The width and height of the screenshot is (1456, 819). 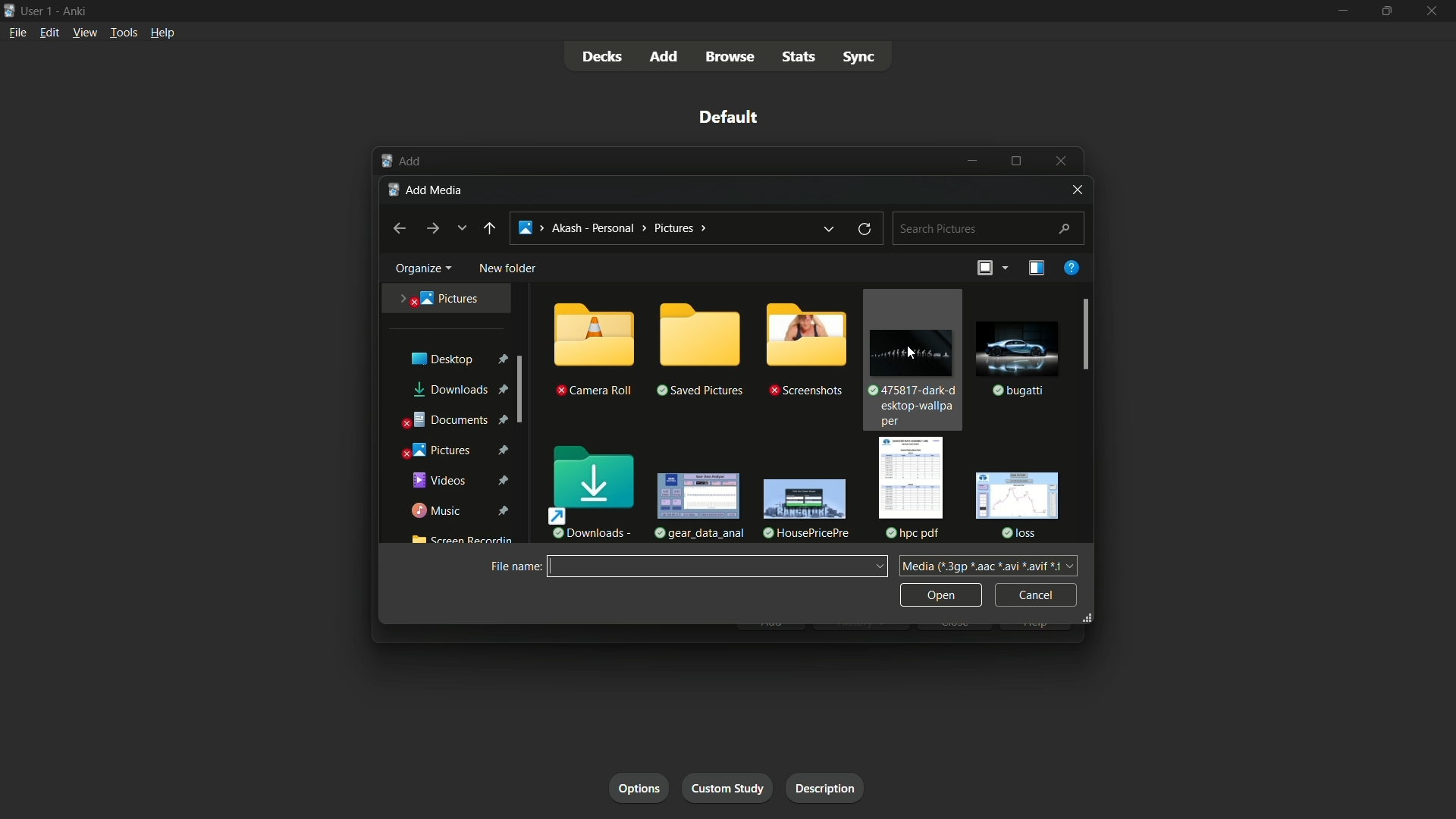 I want to click on user-1, so click(x=37, y=9).